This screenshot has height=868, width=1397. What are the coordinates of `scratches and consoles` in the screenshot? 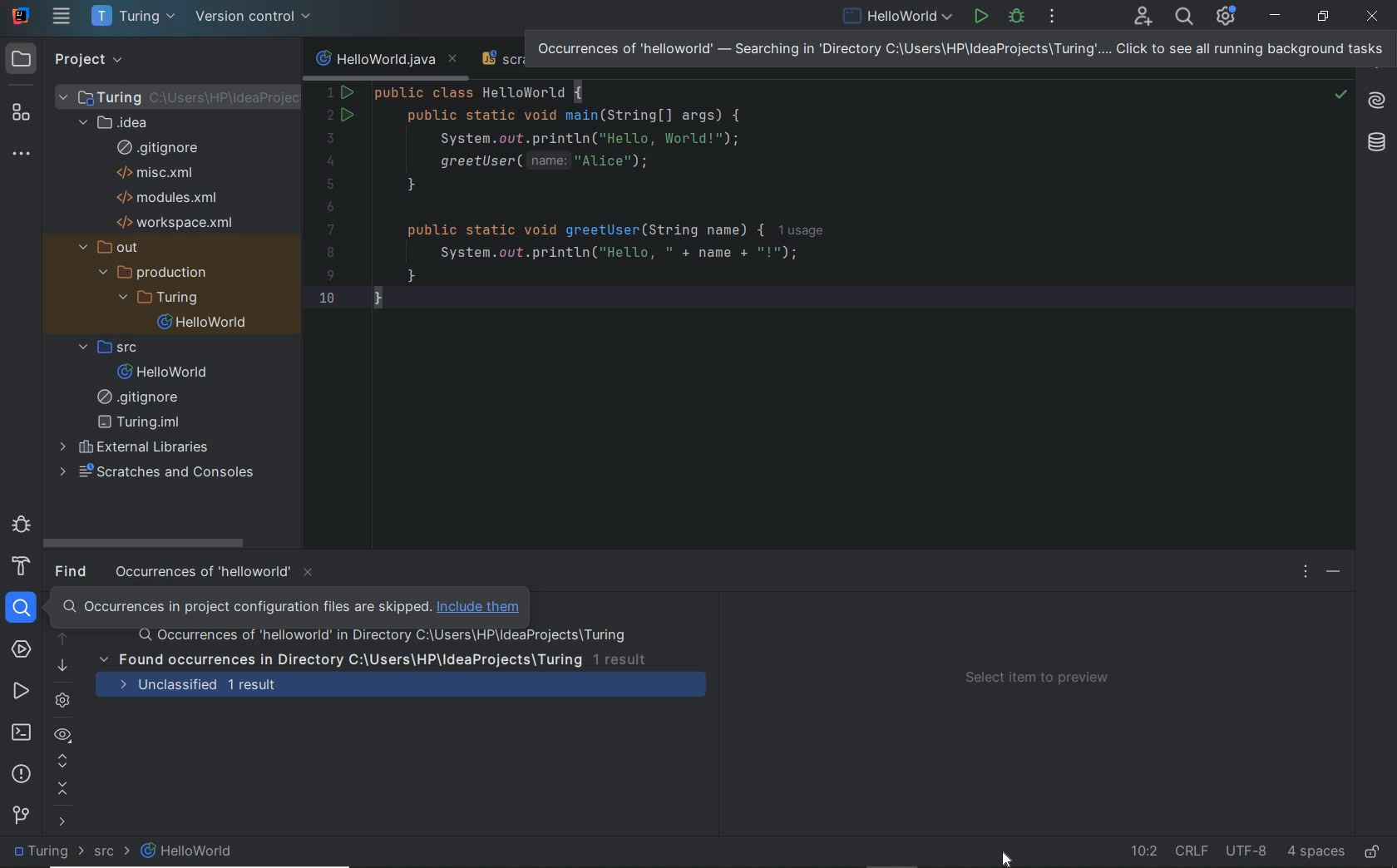 It's located at (178, 474).